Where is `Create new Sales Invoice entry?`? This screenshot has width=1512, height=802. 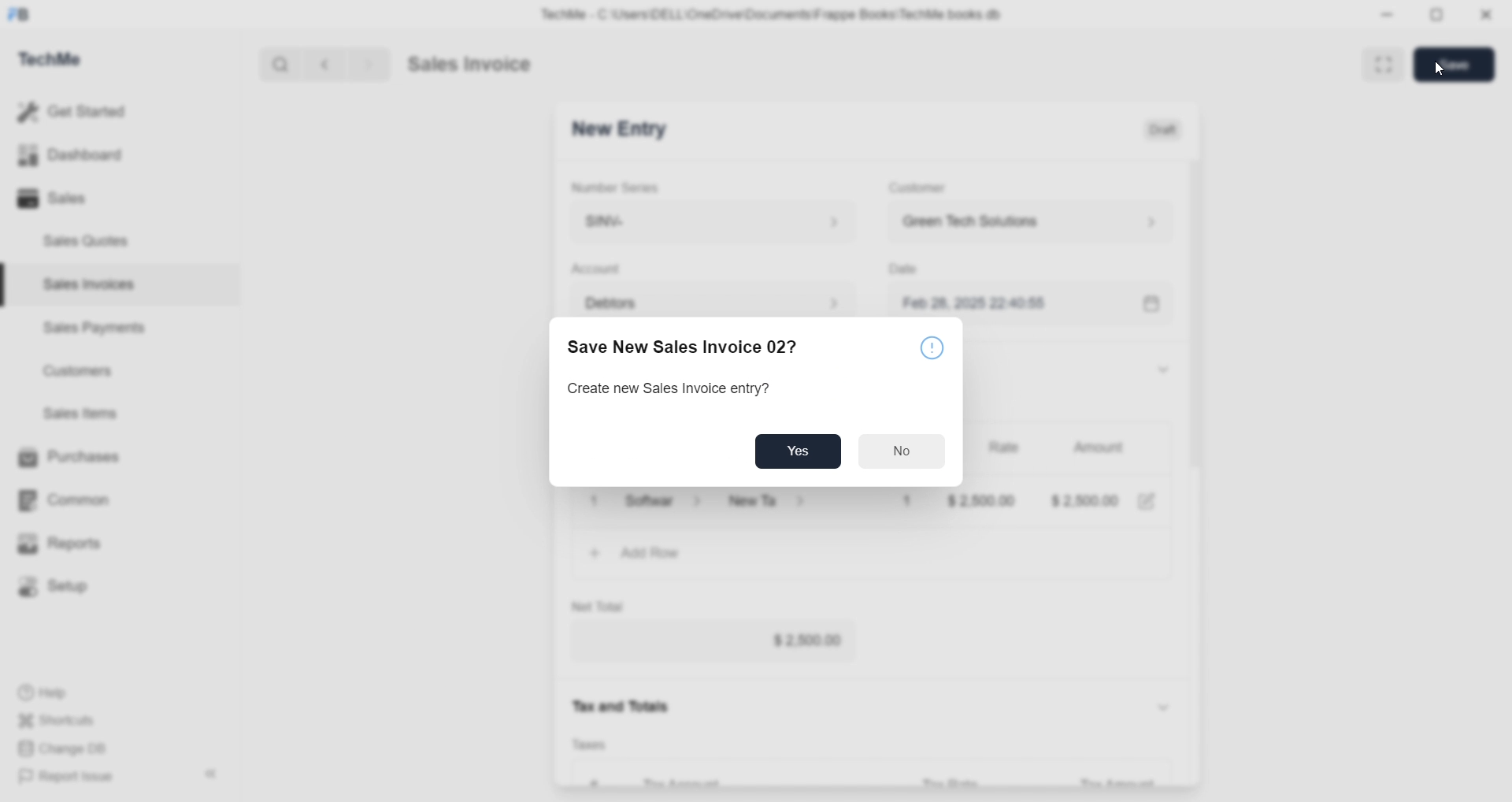
Create new Sales Invoice entry? is located at coordinates (673, 389).